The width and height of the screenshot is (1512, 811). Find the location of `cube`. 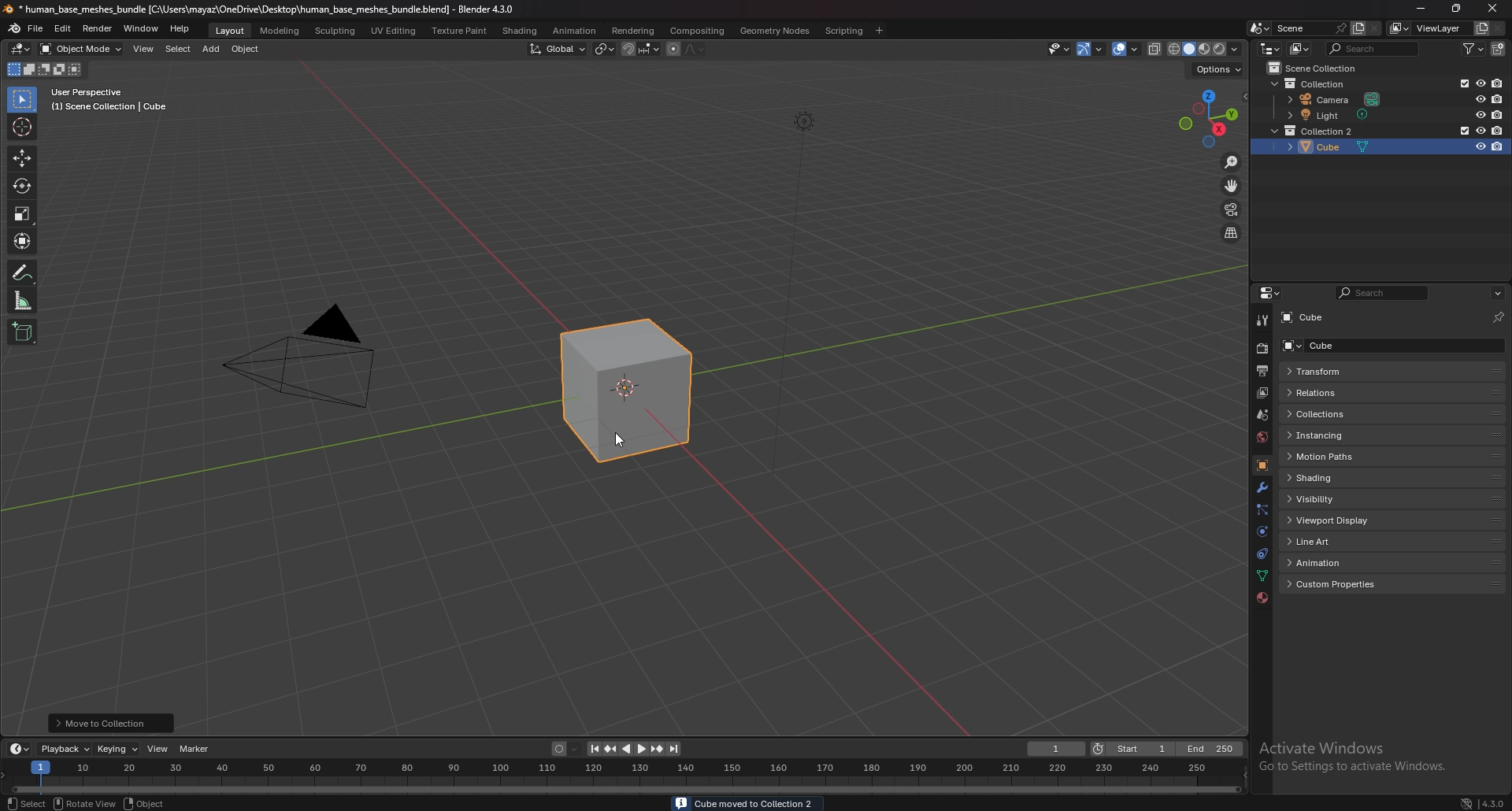

cube is located at coordinates (1340, 345).